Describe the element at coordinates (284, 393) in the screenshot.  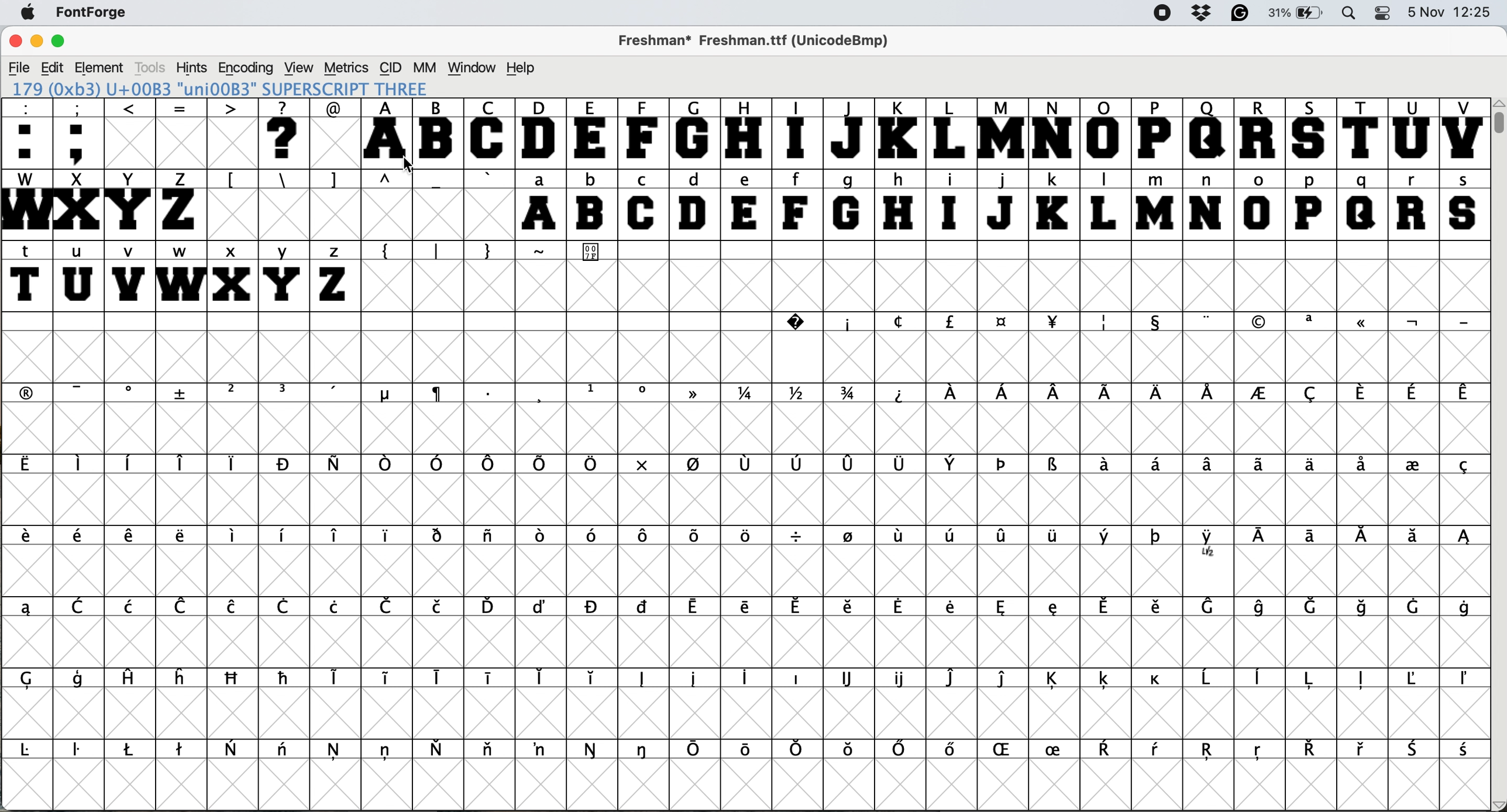
I see `symbol` at that location.